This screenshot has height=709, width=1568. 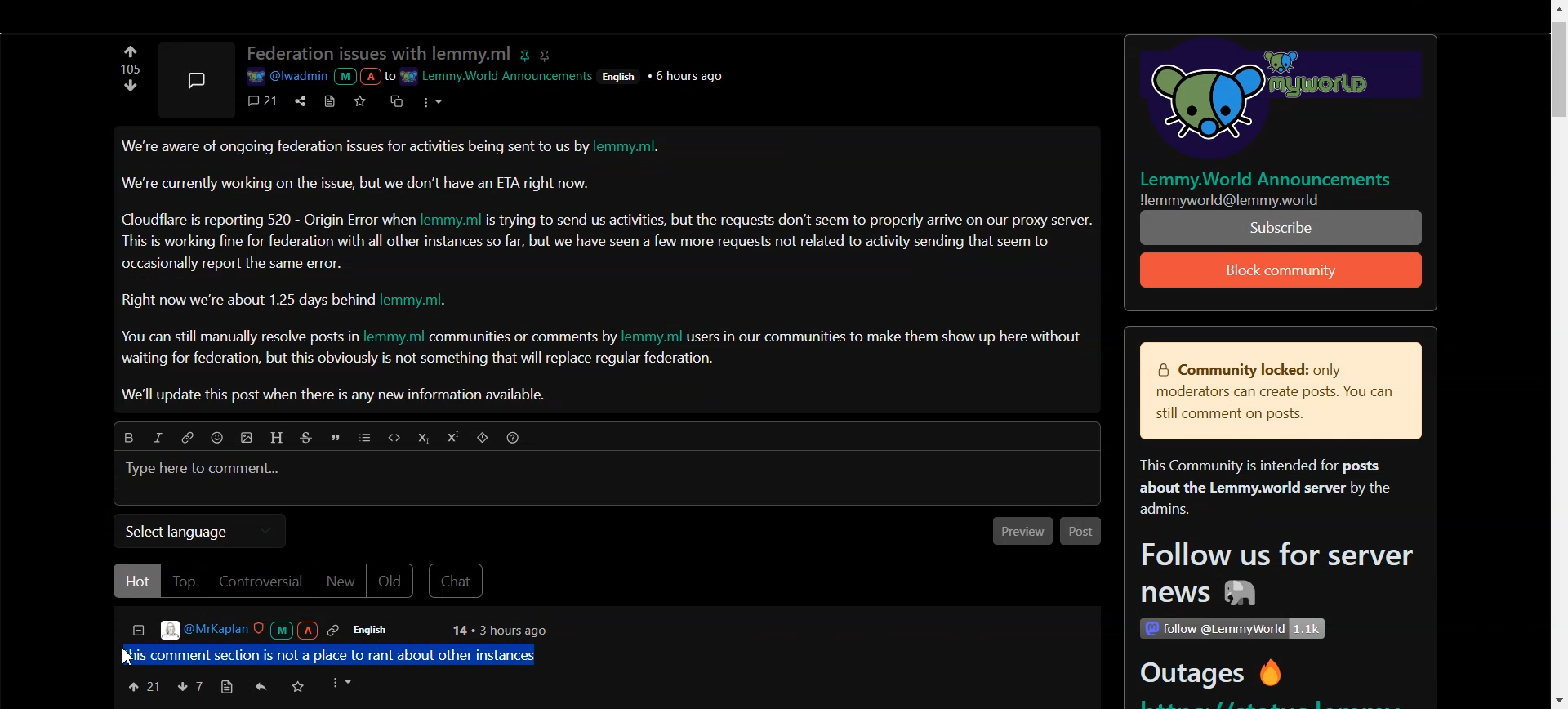 I want to click on Outages ®, so click(x=1213, y=676).